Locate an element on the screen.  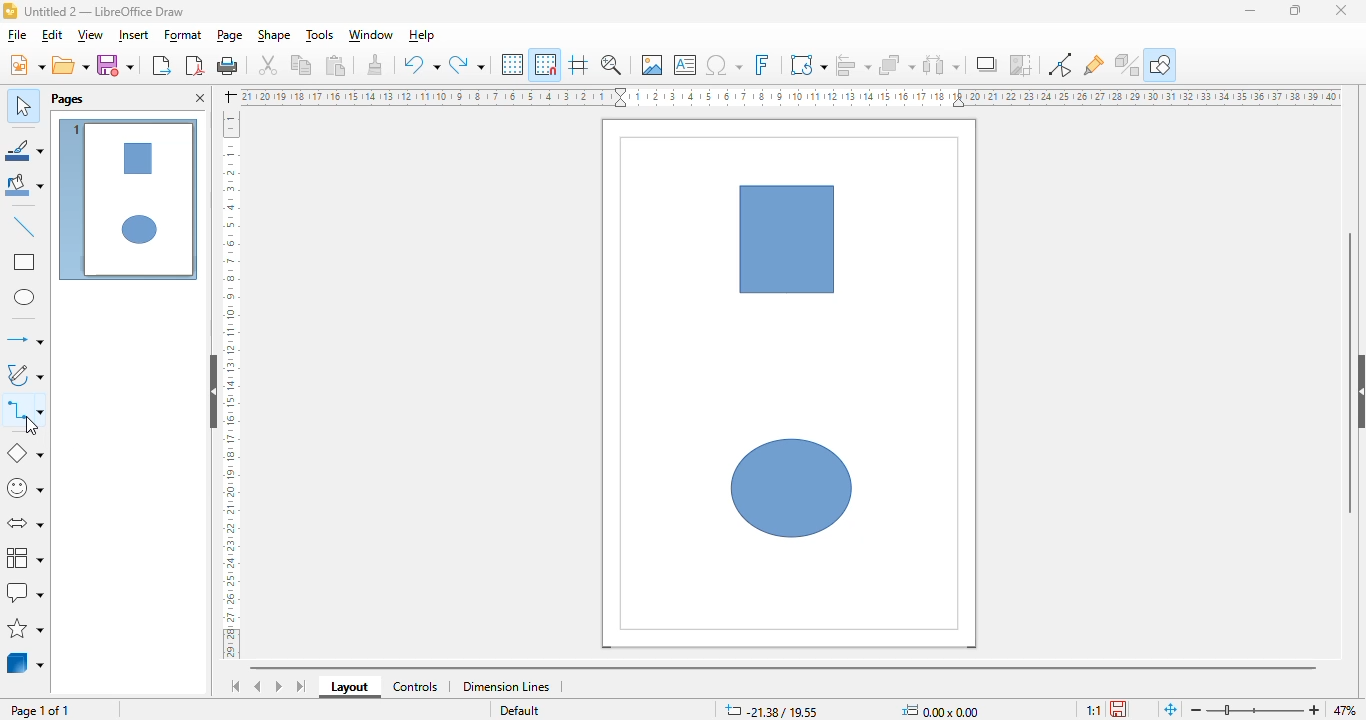
cursor is located at coordinates (31, 426).